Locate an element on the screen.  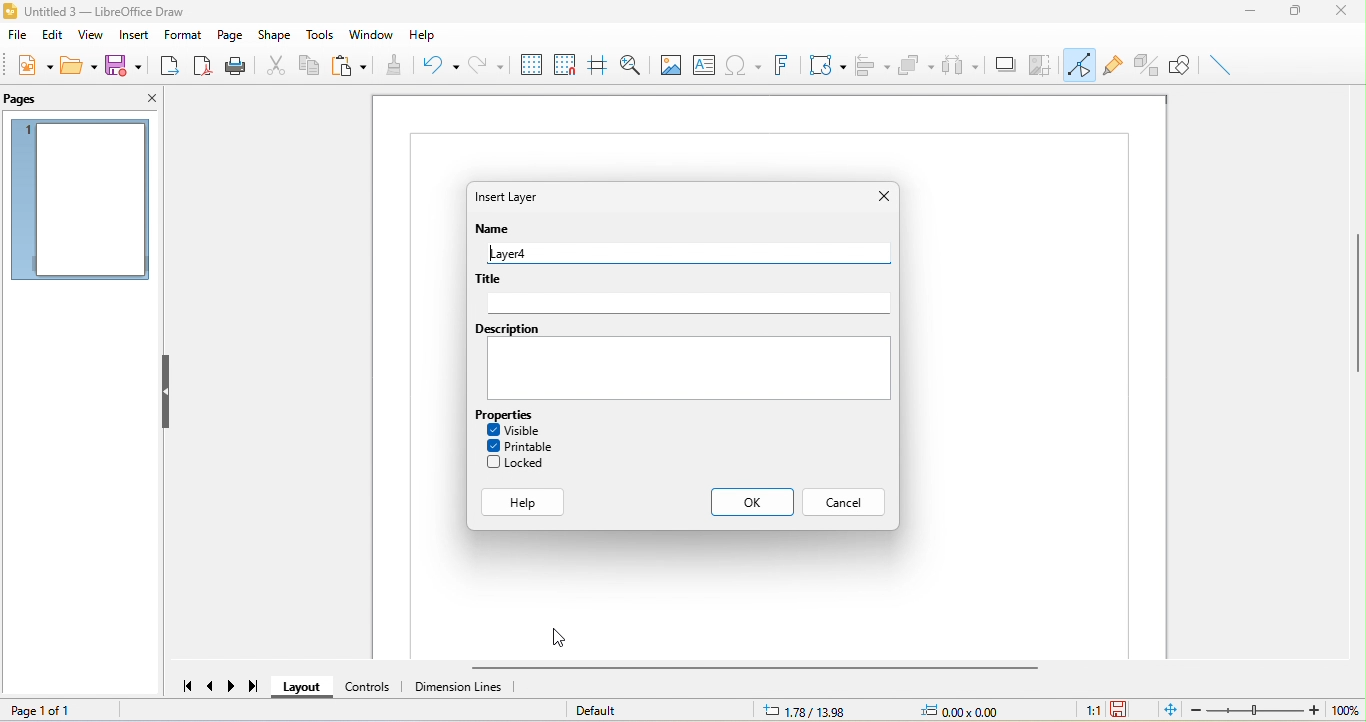
visible is located at coordinates (517, 429).